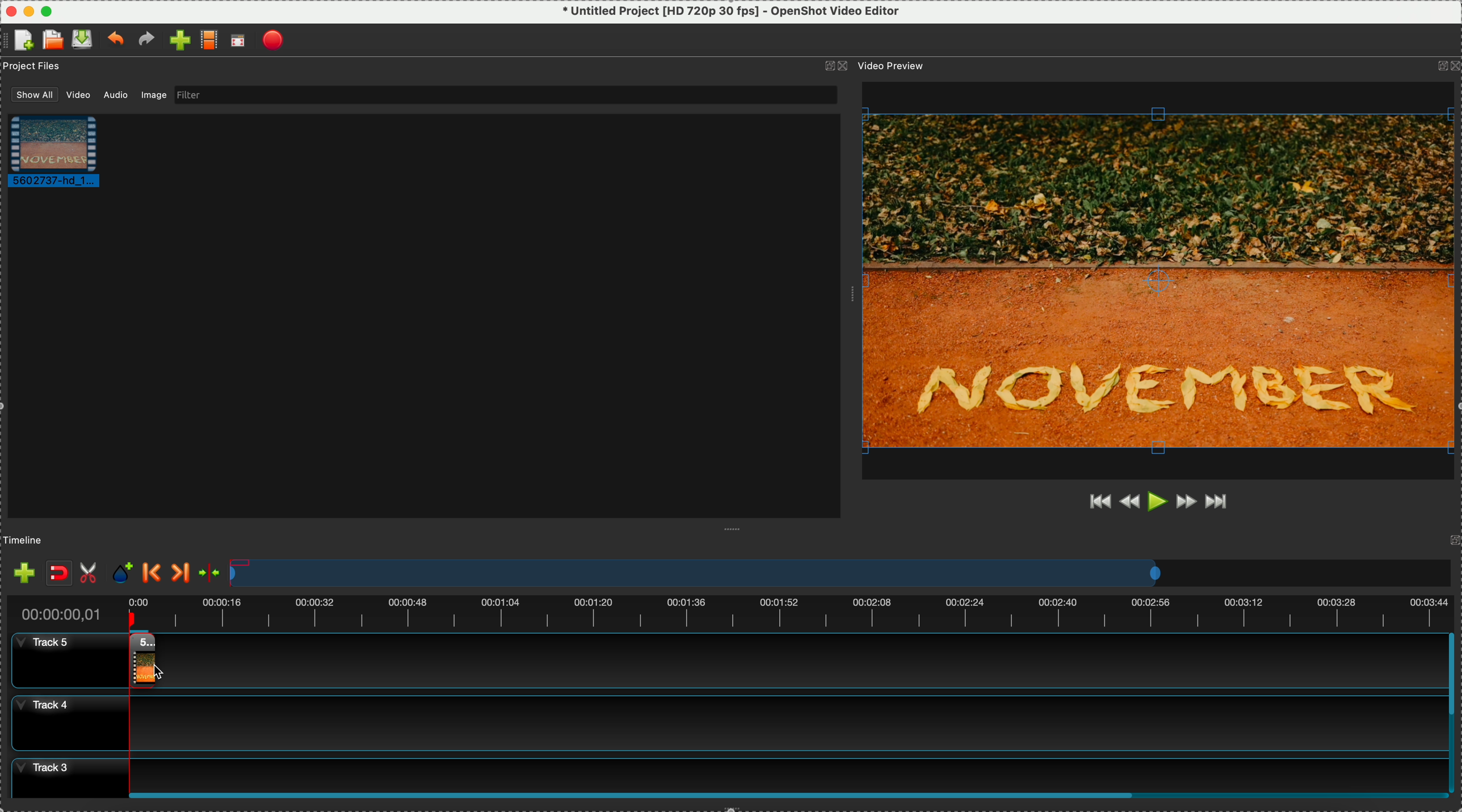 This screenshot has height=812, width=1462. Describe the element at coordinates (152, 573) in the screenshot. I see `previous marker` at that location.